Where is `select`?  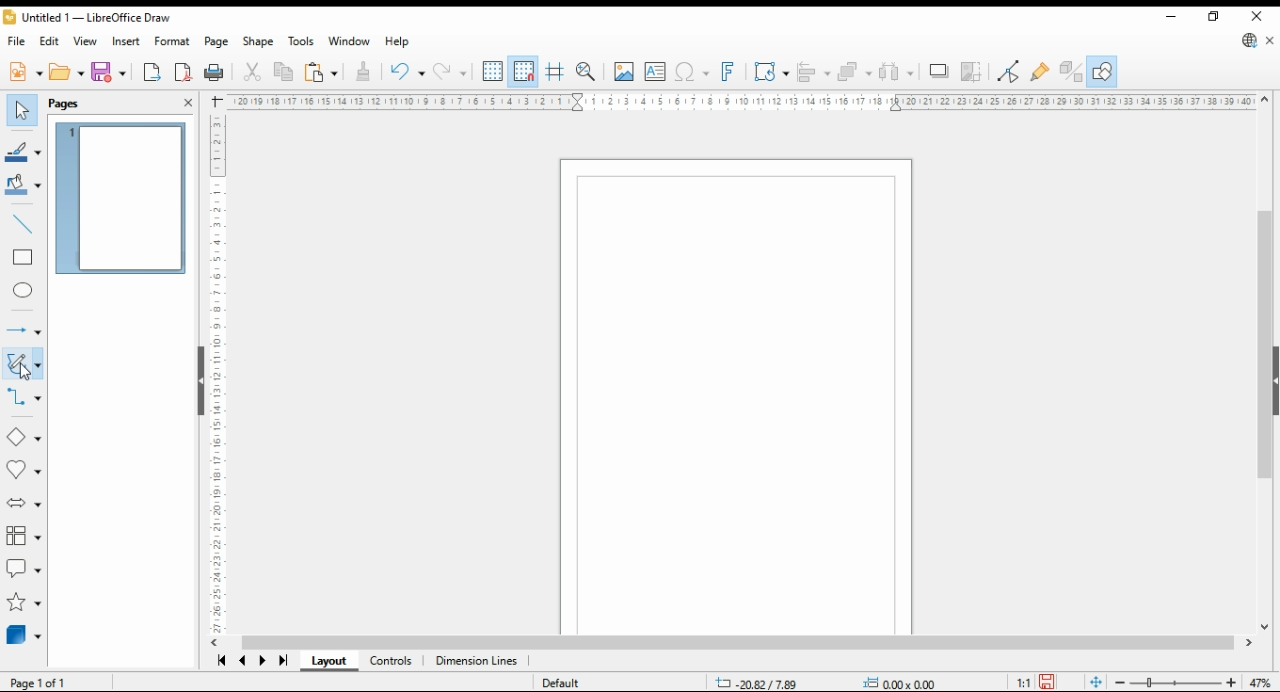
select is located at coordinates (22, 111).